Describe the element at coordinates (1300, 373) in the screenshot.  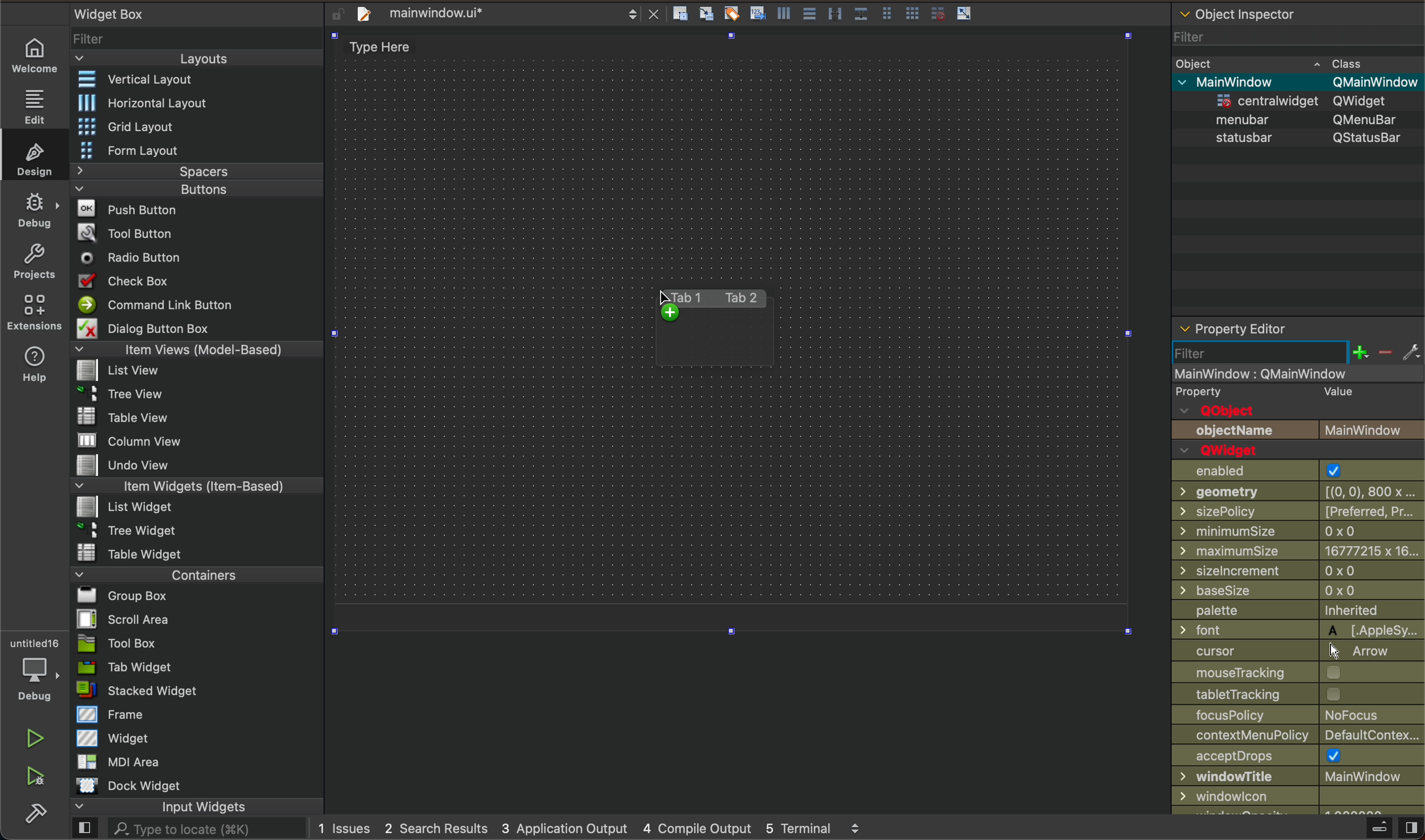
I see `mainwindow` at that location.